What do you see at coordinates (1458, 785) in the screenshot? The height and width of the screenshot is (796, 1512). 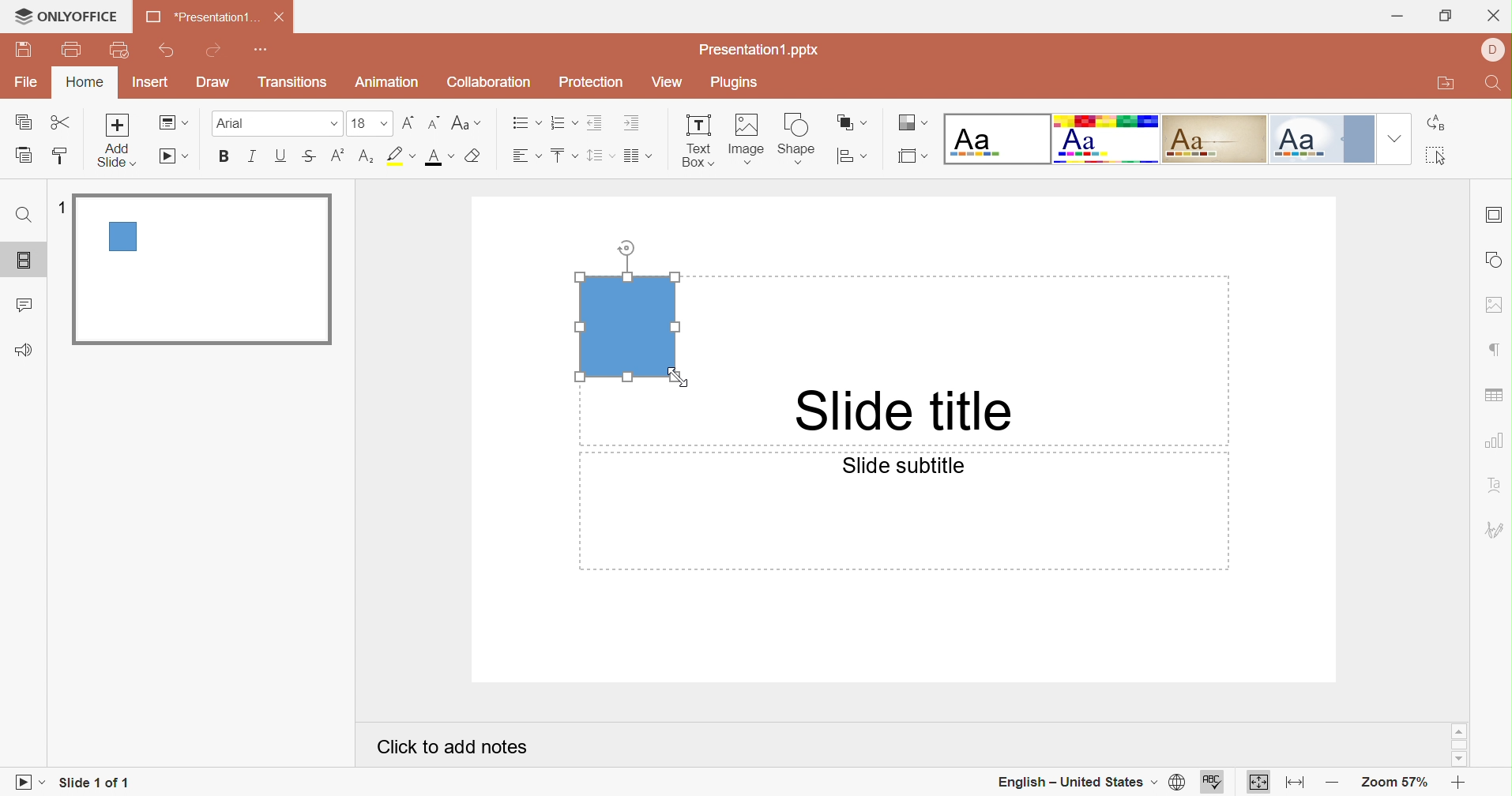 I see `Zoom in` at bounding box center [1458, 785].